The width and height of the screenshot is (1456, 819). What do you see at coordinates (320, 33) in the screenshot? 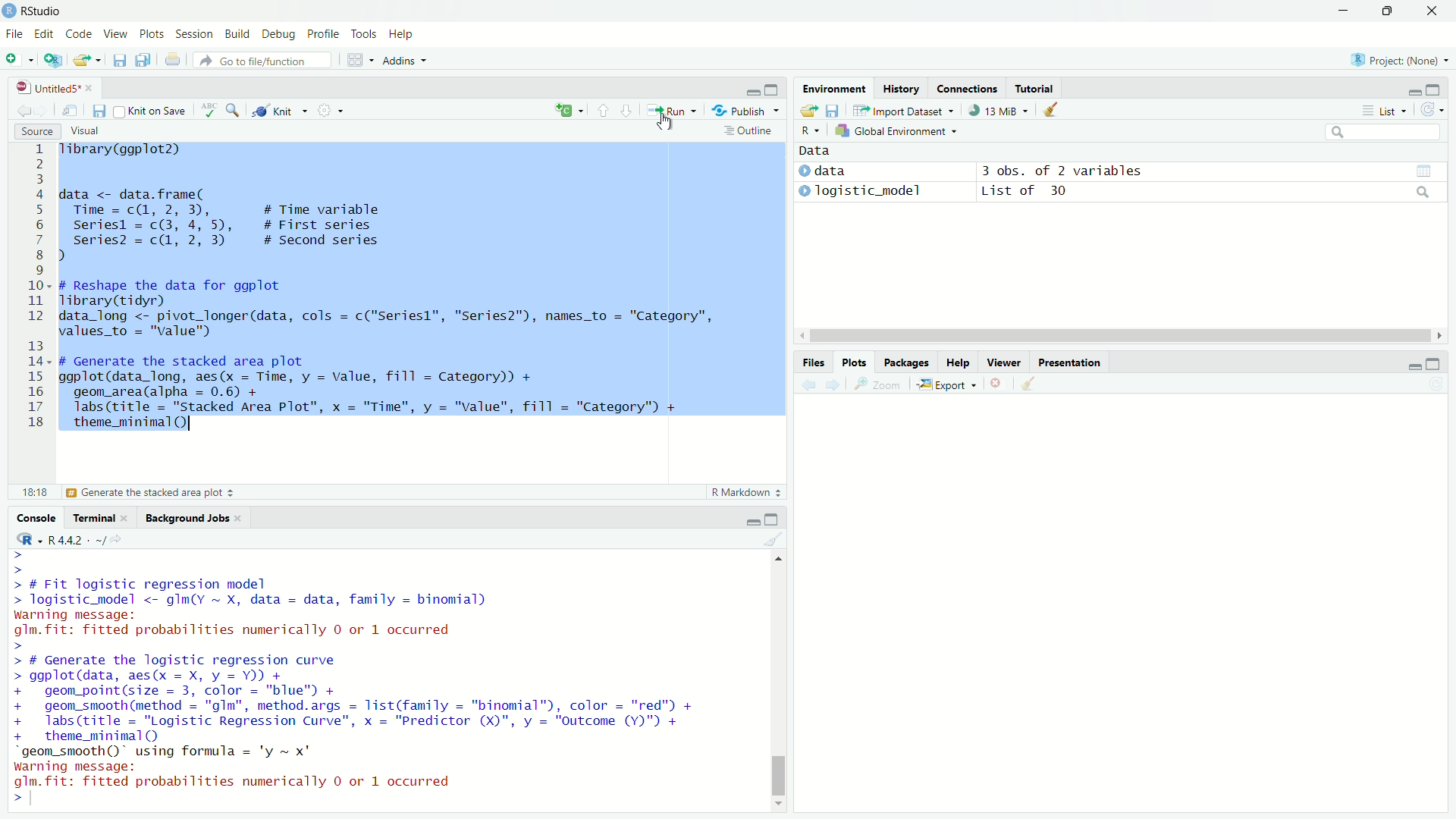
I see `Profile` at bounding box center [320, 33].